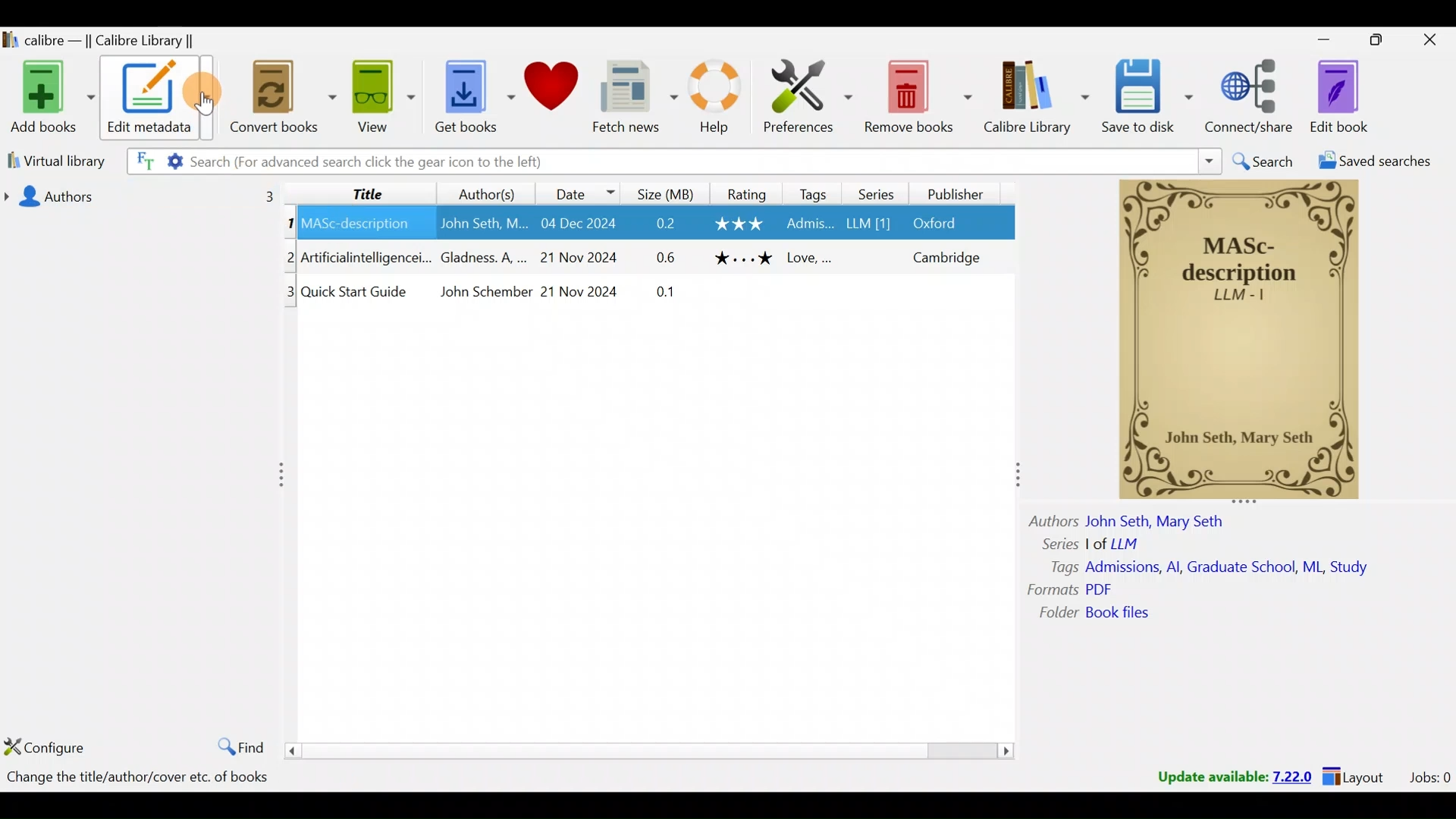 Image resolution: width=1456 pixels, height=819 pixels. What do you see at coordinates (812, 257) in the screenshot?
I see `` at bounding box center [812, 257].